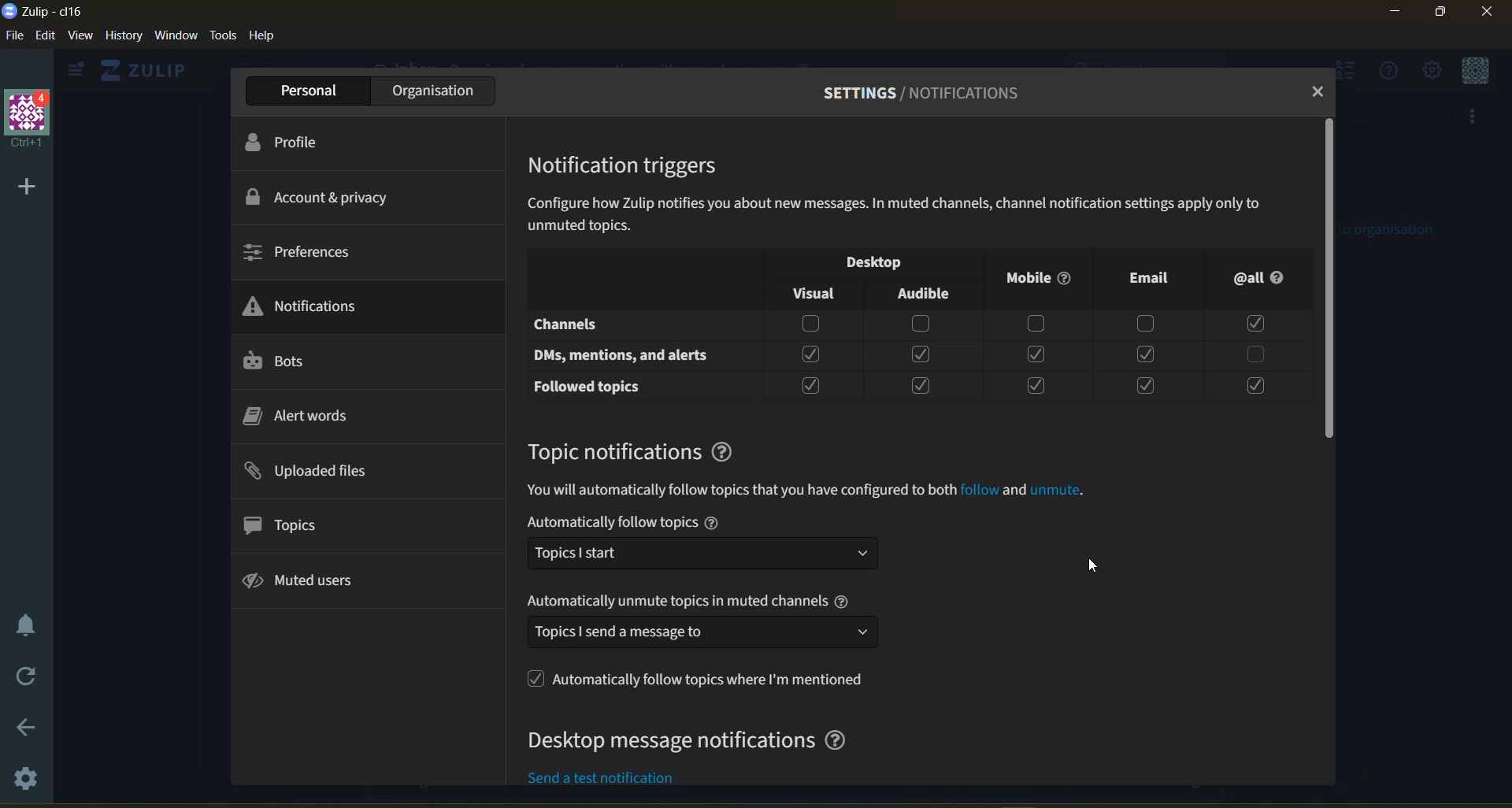  Describe the element at coordinates (289, 361) in the screenshot. I see `bots` at that location.